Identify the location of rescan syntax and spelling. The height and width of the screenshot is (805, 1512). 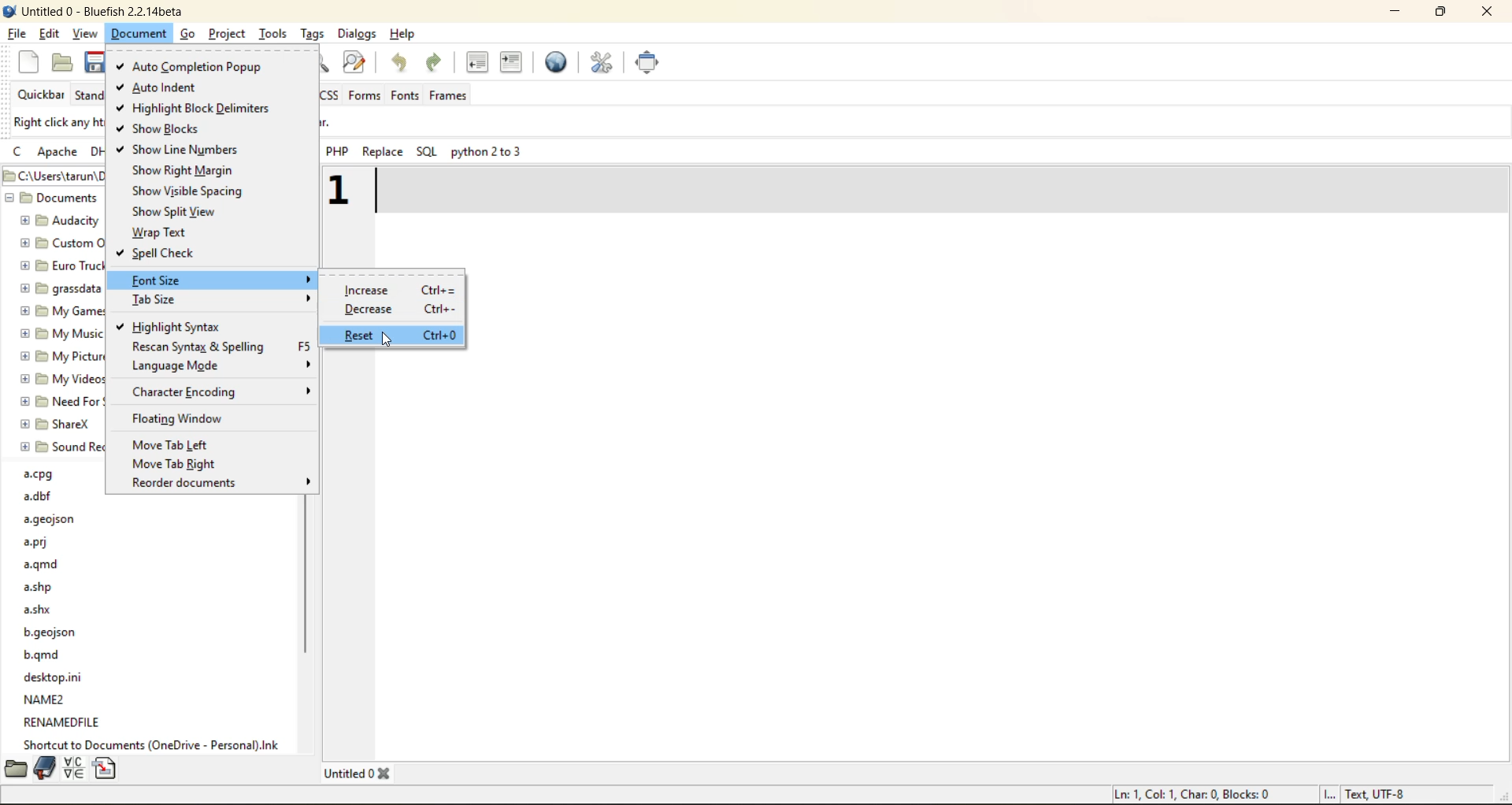
(219, 347).